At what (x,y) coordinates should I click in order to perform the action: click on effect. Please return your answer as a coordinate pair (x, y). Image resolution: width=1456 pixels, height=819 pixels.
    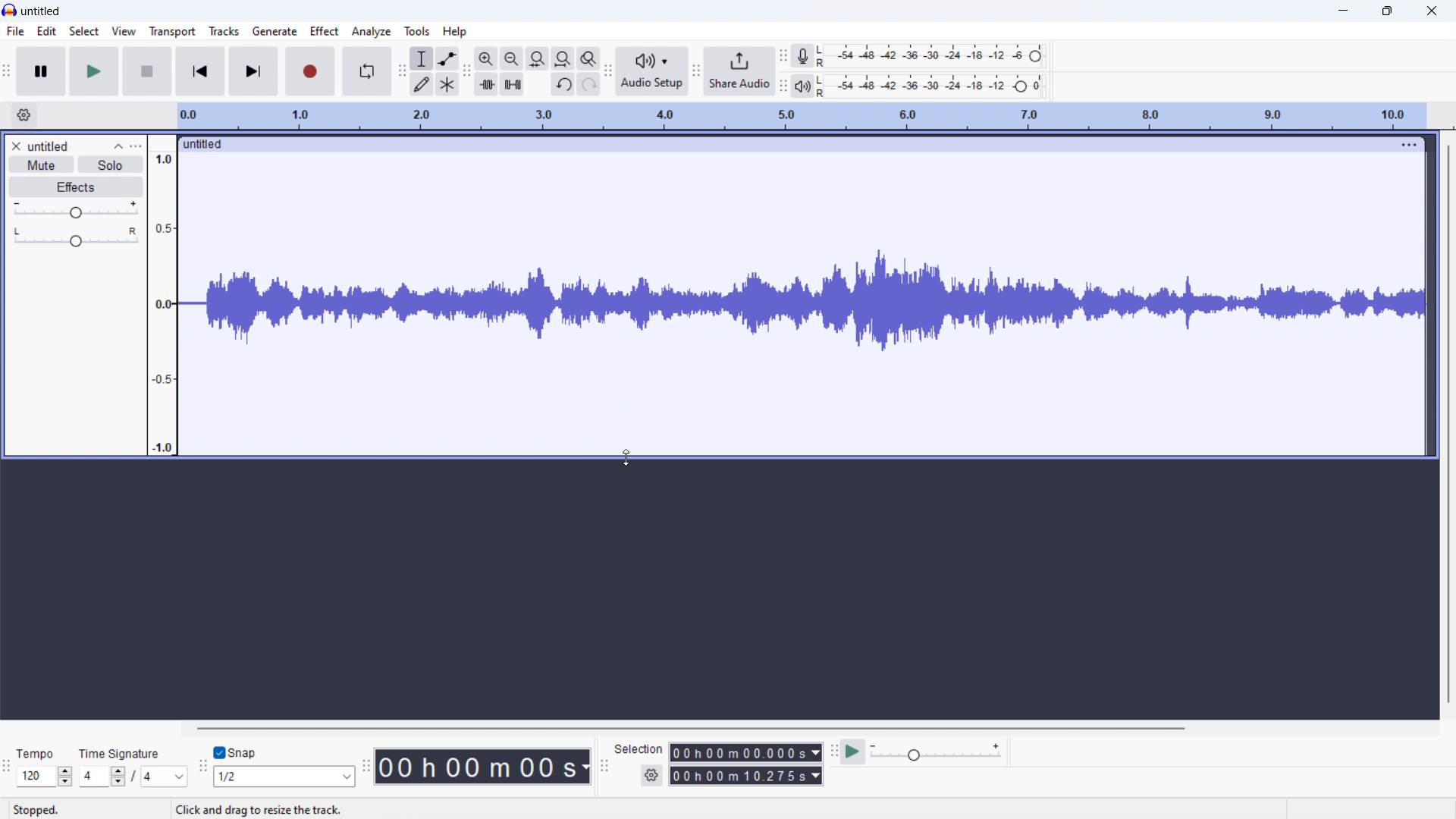
    Looking at the image, I should click on (323, 31).